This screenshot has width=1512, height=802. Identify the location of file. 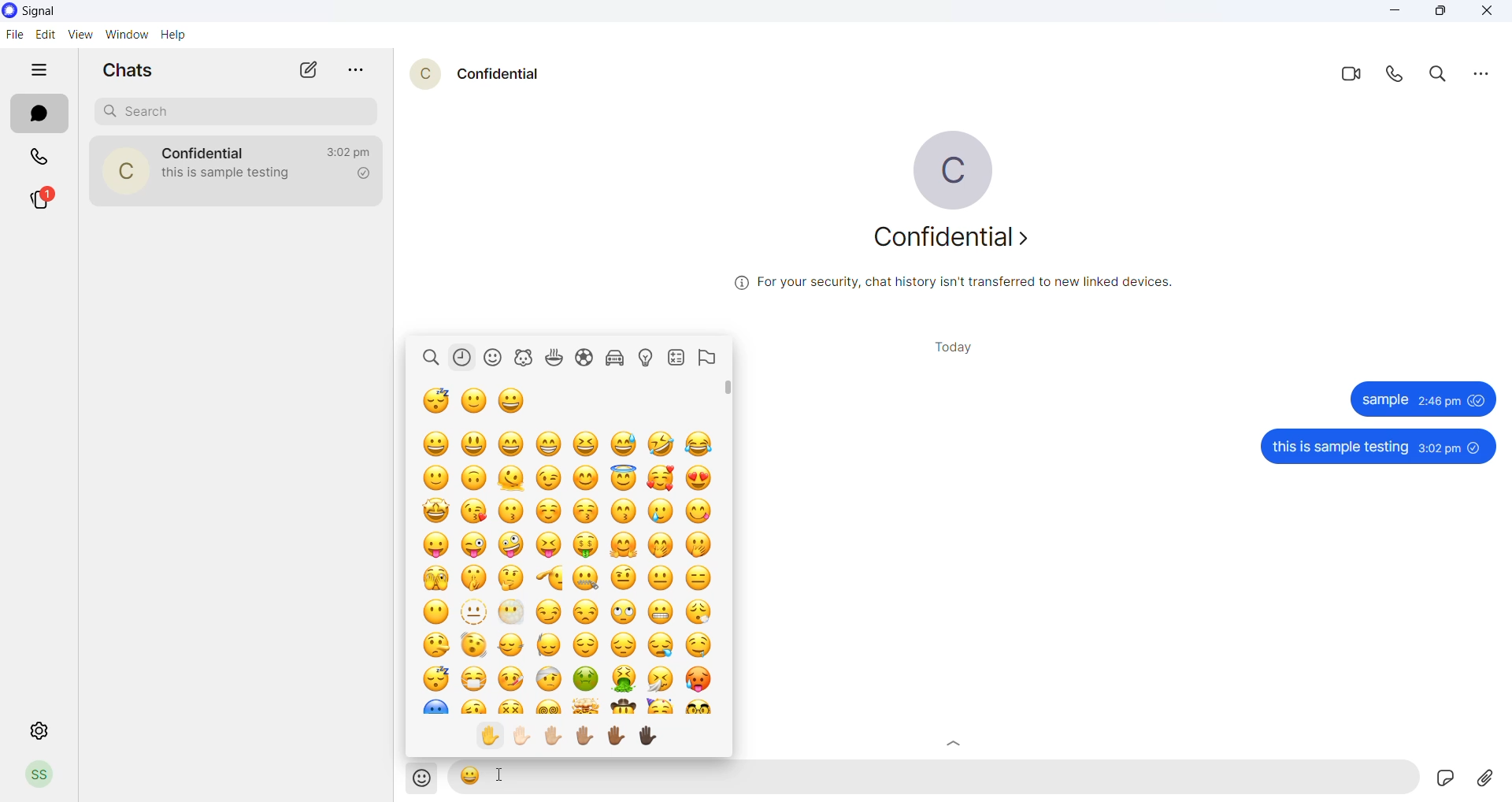
(14, 35).